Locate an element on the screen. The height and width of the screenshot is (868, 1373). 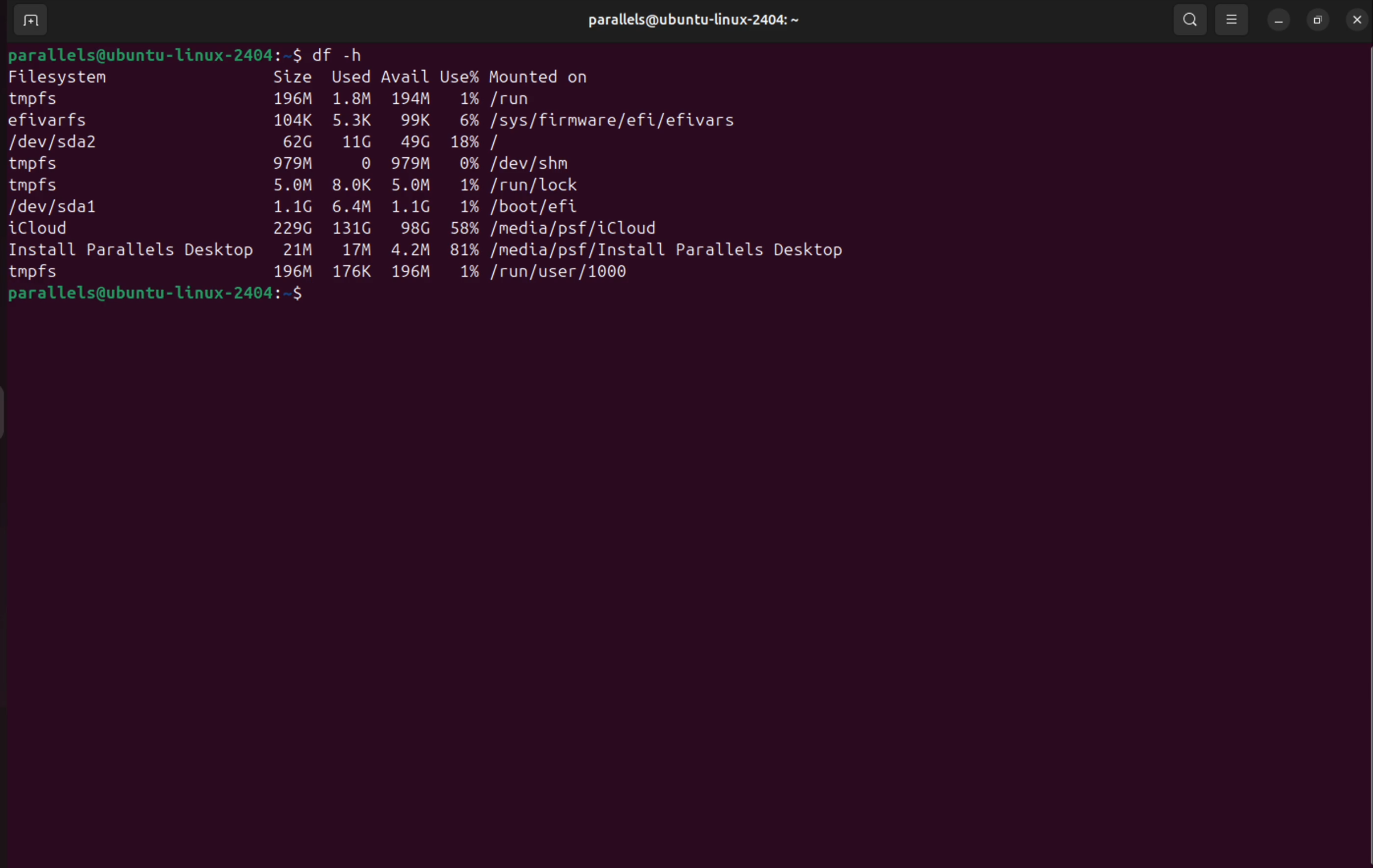
1.1.G is located at coordinates (295, 207).